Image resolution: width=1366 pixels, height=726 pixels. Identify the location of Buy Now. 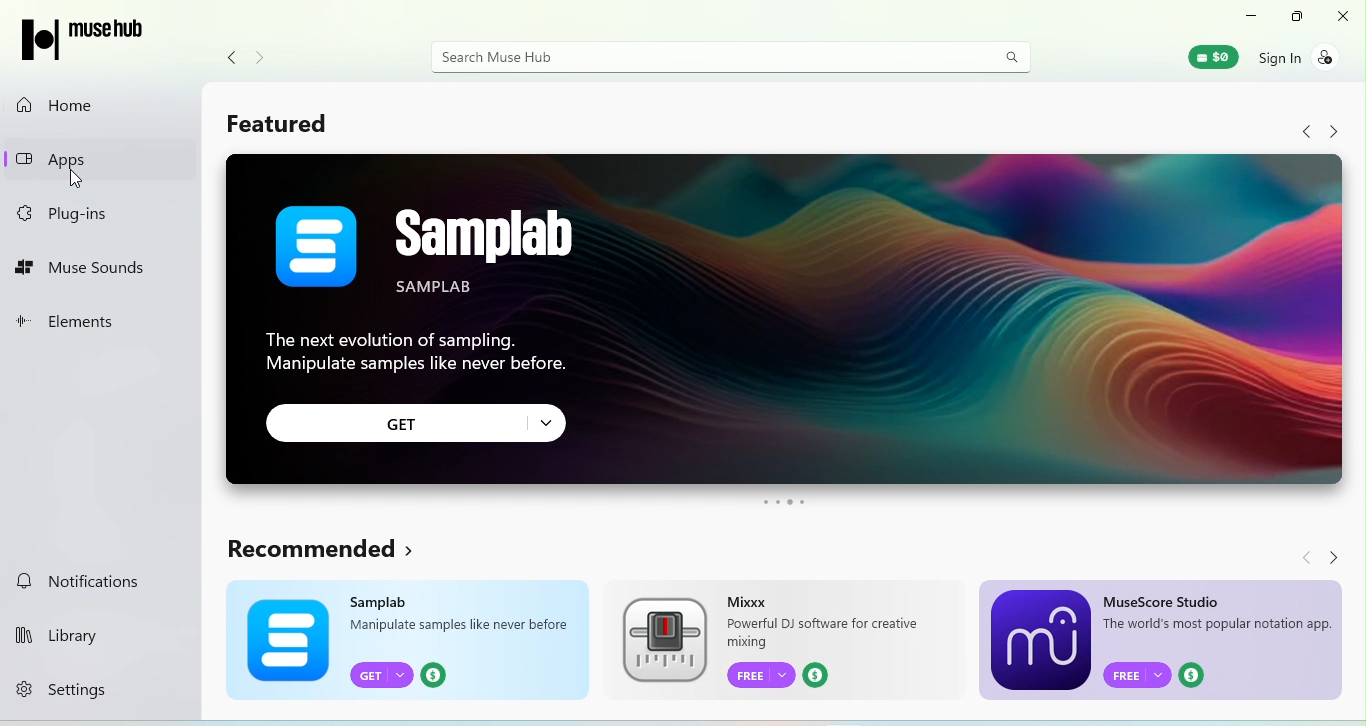
(435, 673).